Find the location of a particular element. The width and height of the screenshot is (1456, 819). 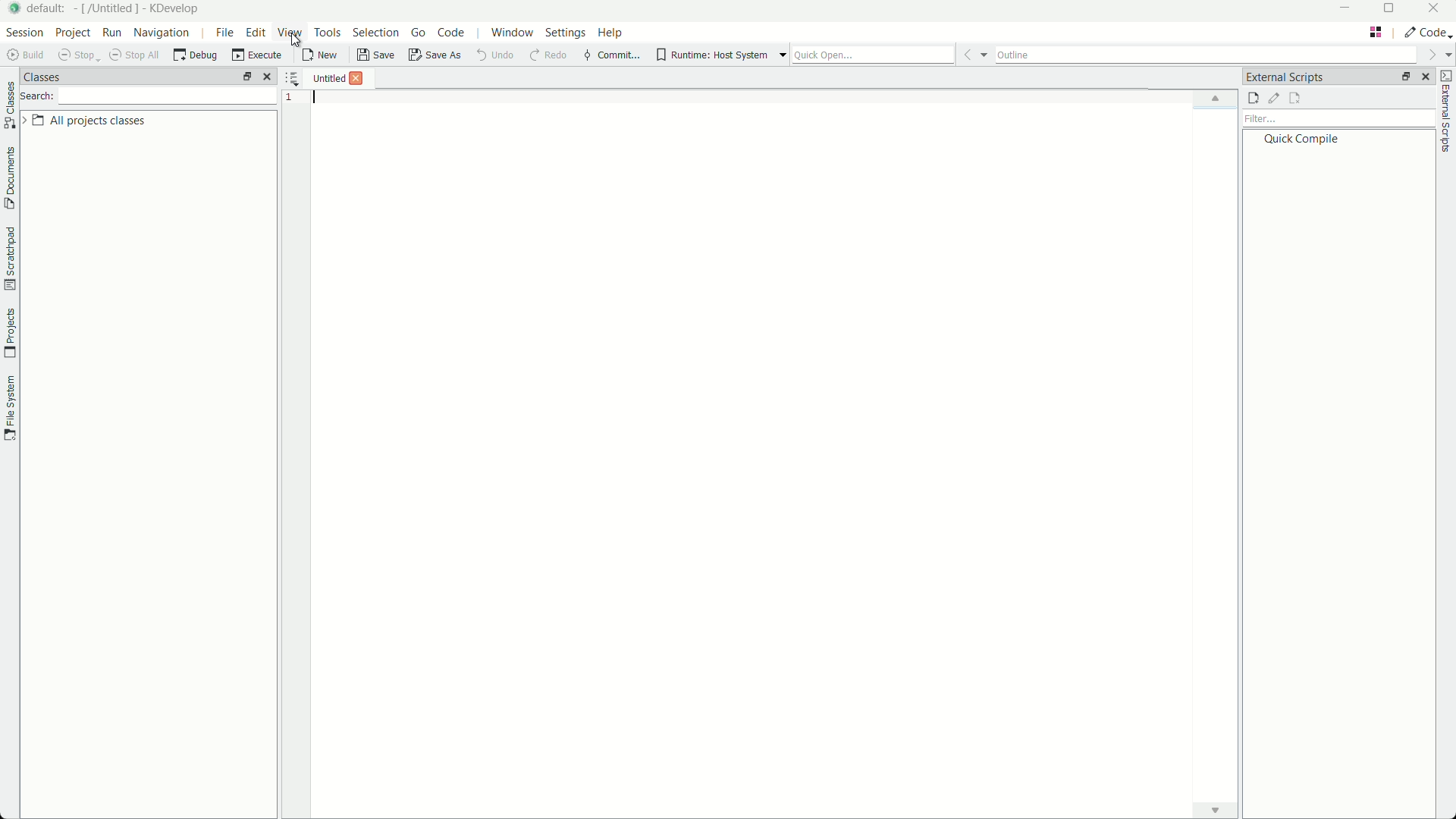

workspace is located at coordinates (779, 454).